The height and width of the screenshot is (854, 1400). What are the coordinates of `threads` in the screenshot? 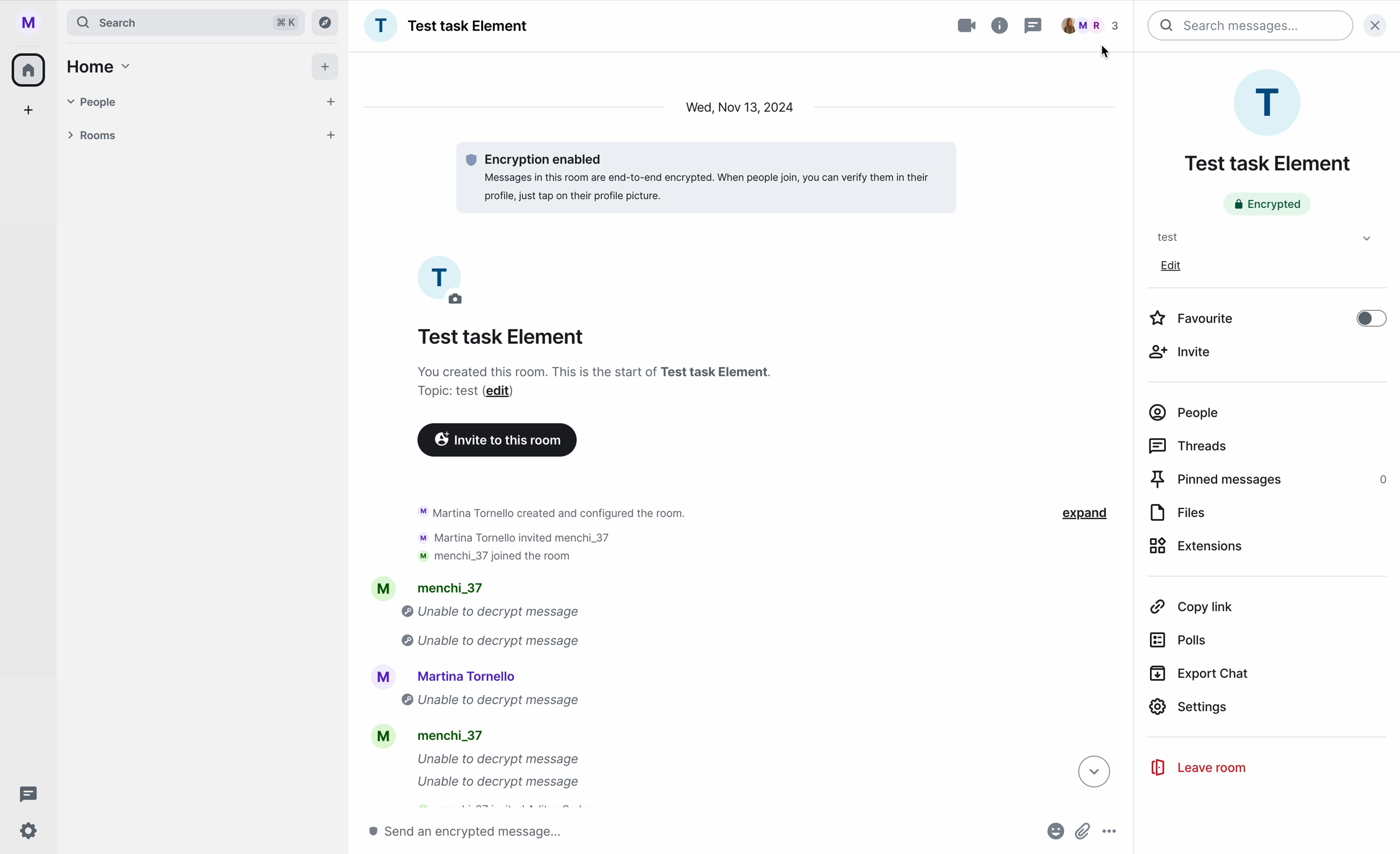 It's located at (1034, 25).